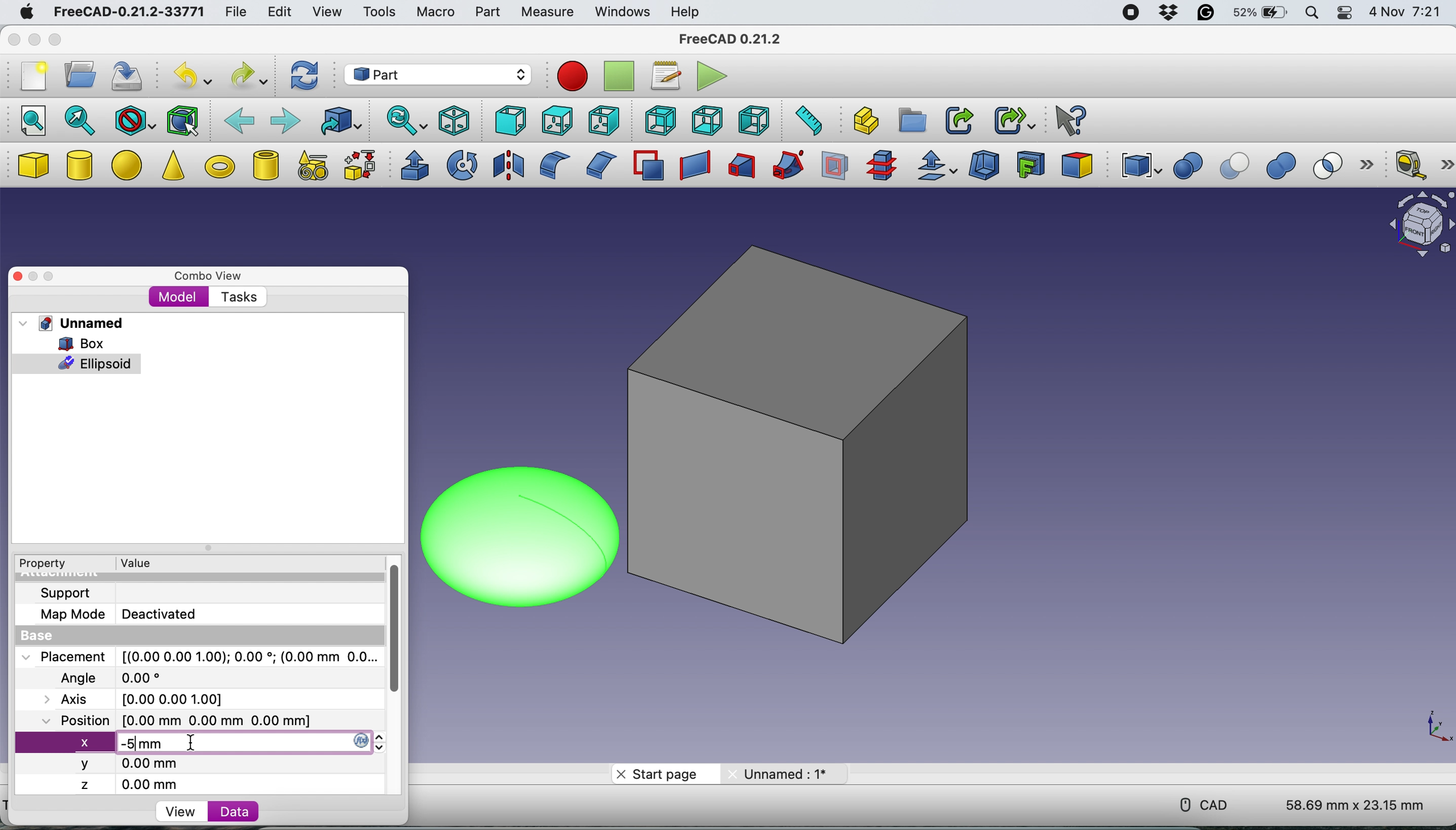 This screenshot has height=830, width=1456. What do you see at coordinates (776, 773) in the screenshot?
I see `Unnamed: 1*` at bounding box center [776, 773].